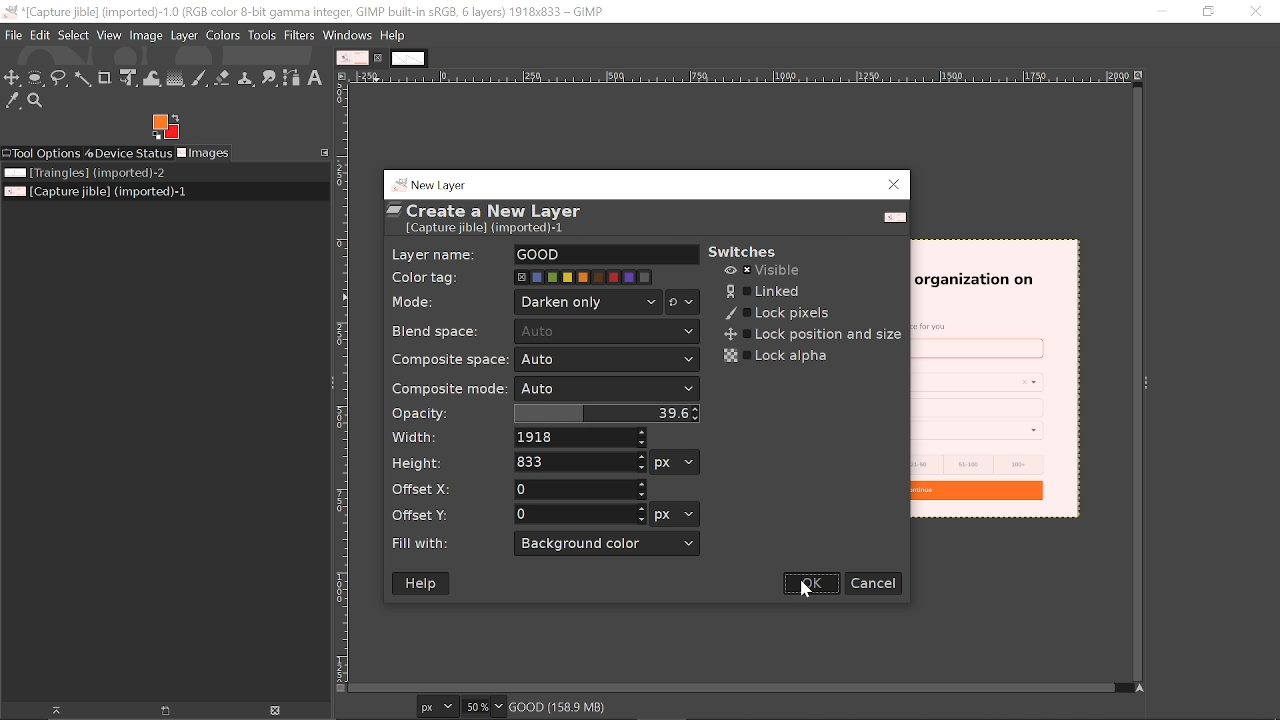 The height and width of the screenshot is (720, 1280). Describe the element at coordinates (156, 712) in the screenshot. I see `New display for the image` at that location.